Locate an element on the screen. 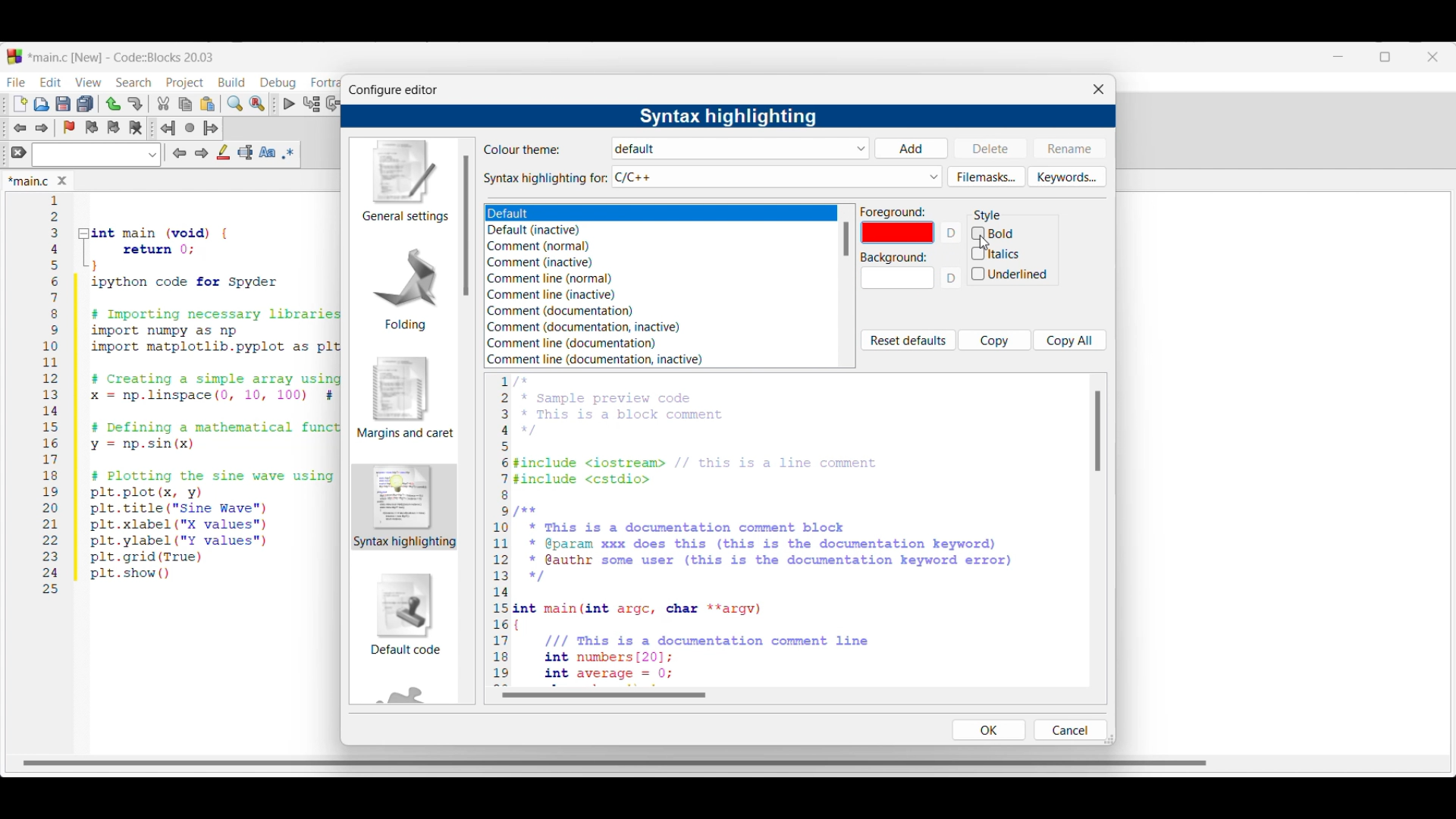 Image resolution: width=1456 pixels, height=819 pixels. Last jump is located at coordinates (190, 127).